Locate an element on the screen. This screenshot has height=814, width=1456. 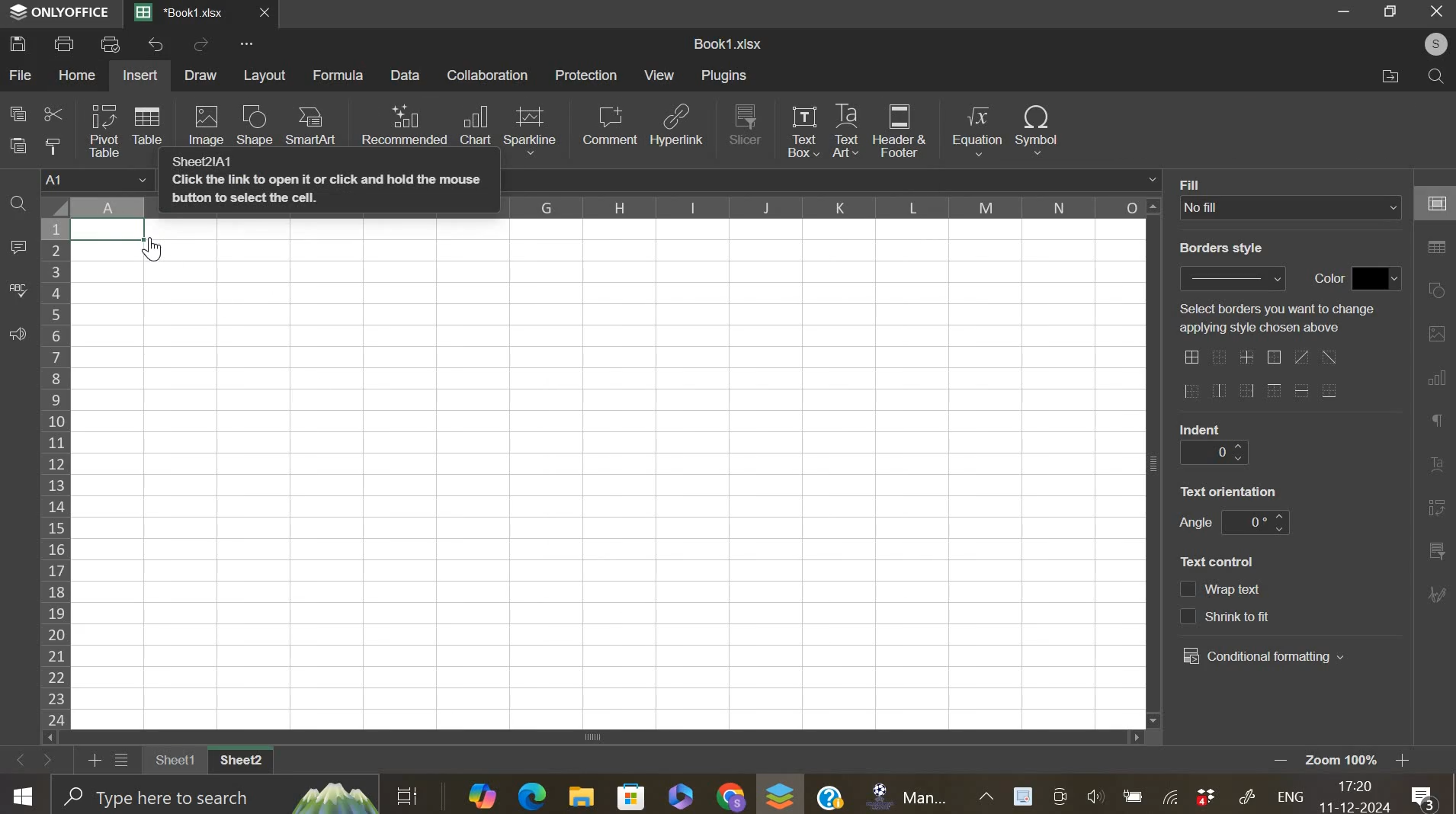
text is located at coordinates (1324, 279).